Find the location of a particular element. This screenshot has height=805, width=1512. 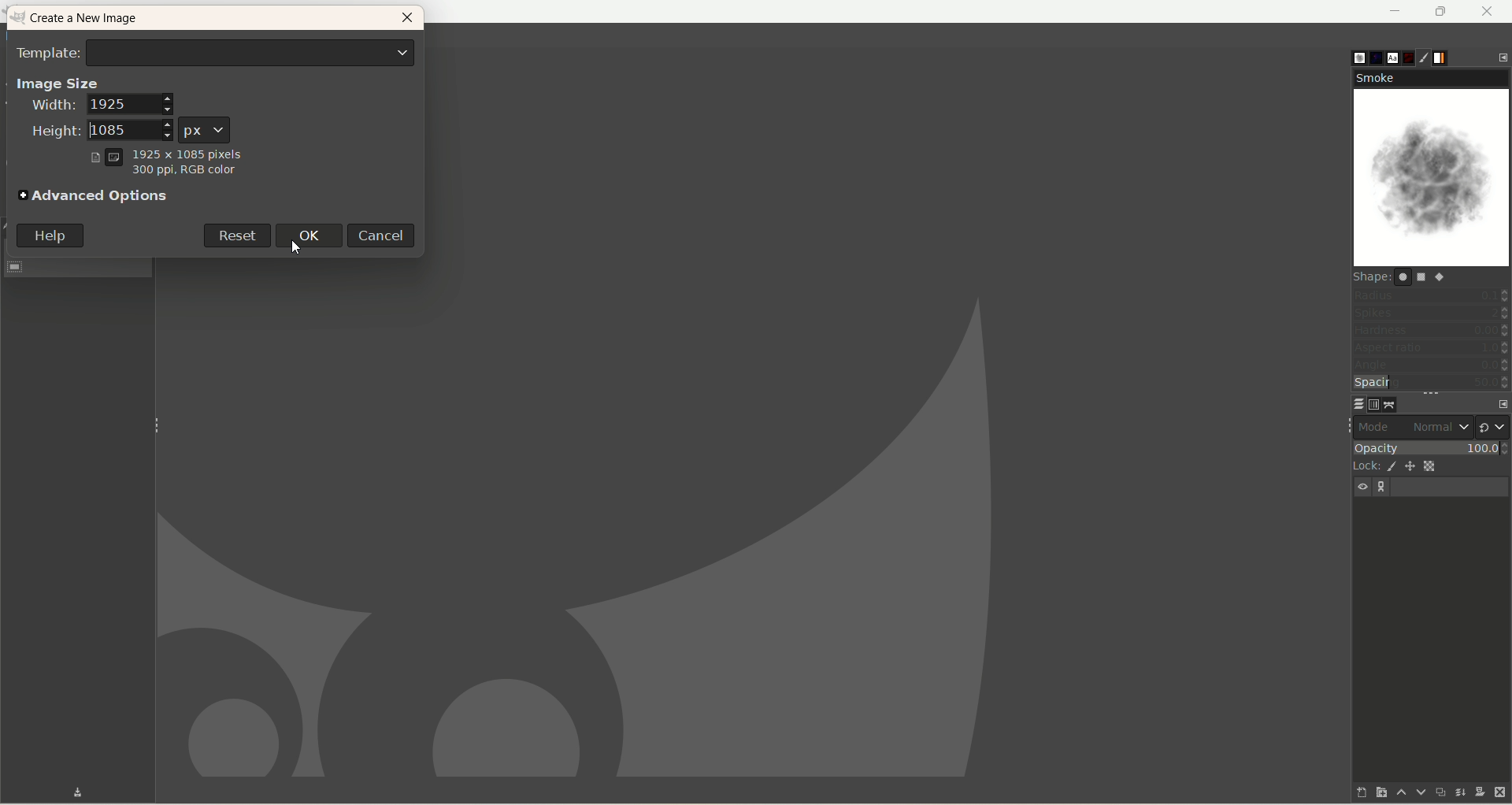

create a new layer with last used values is located at coordinates (1349, 792).